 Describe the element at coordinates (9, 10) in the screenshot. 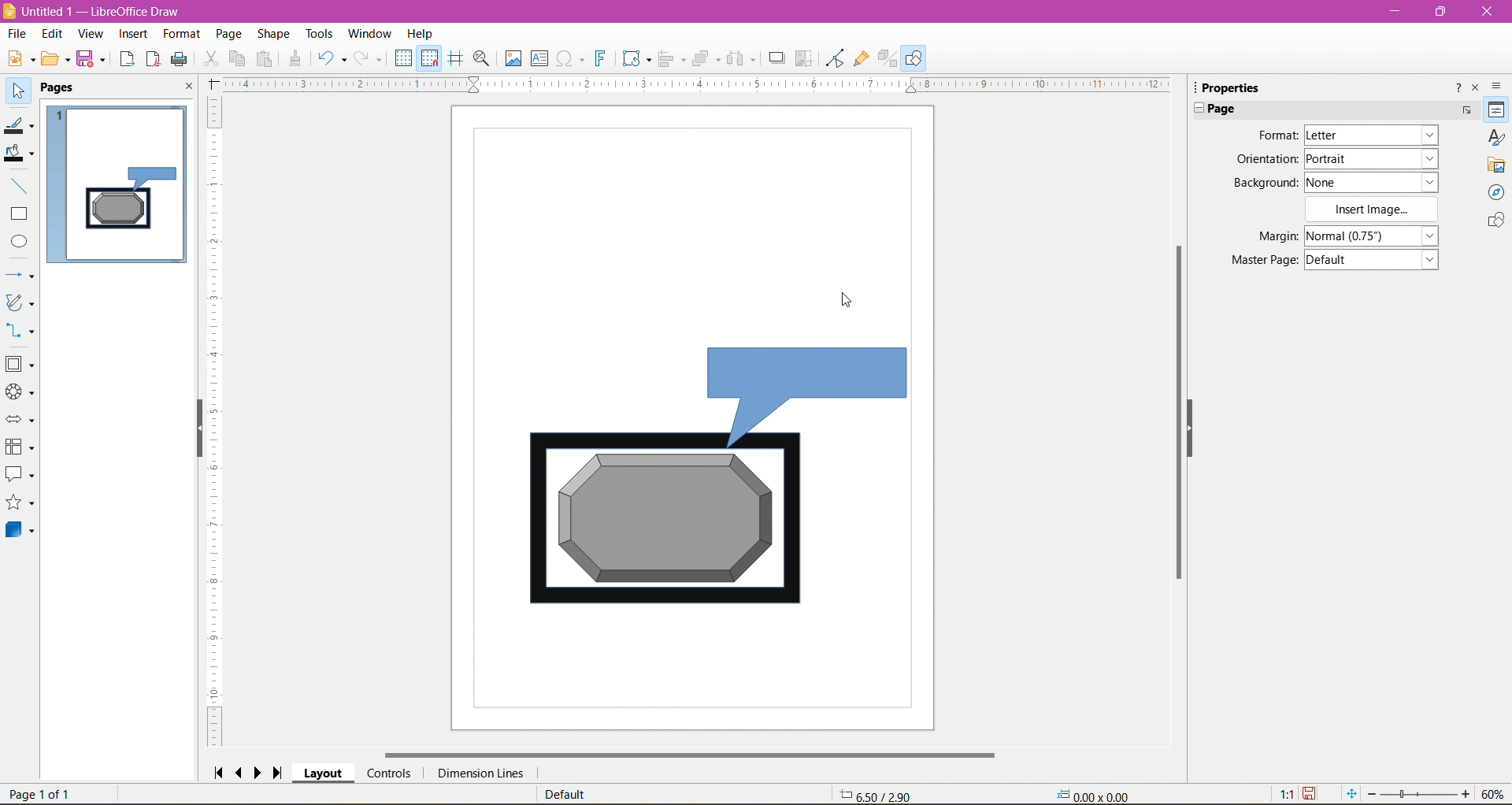

I see `Application Logo` at that location.